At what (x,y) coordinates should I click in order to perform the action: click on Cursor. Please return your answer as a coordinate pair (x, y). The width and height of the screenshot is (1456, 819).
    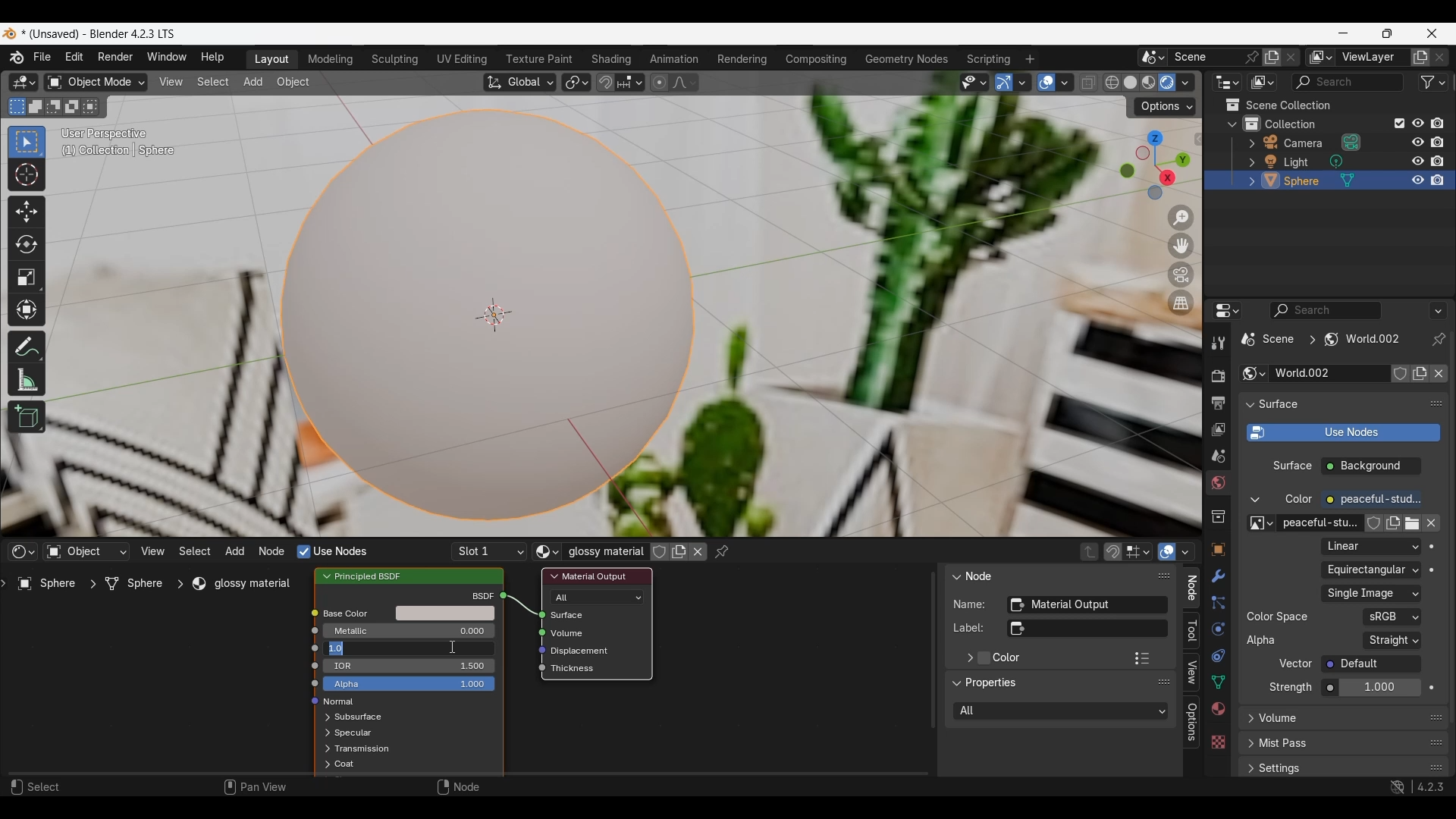
    Looking at the image, I should click on (452, 647).